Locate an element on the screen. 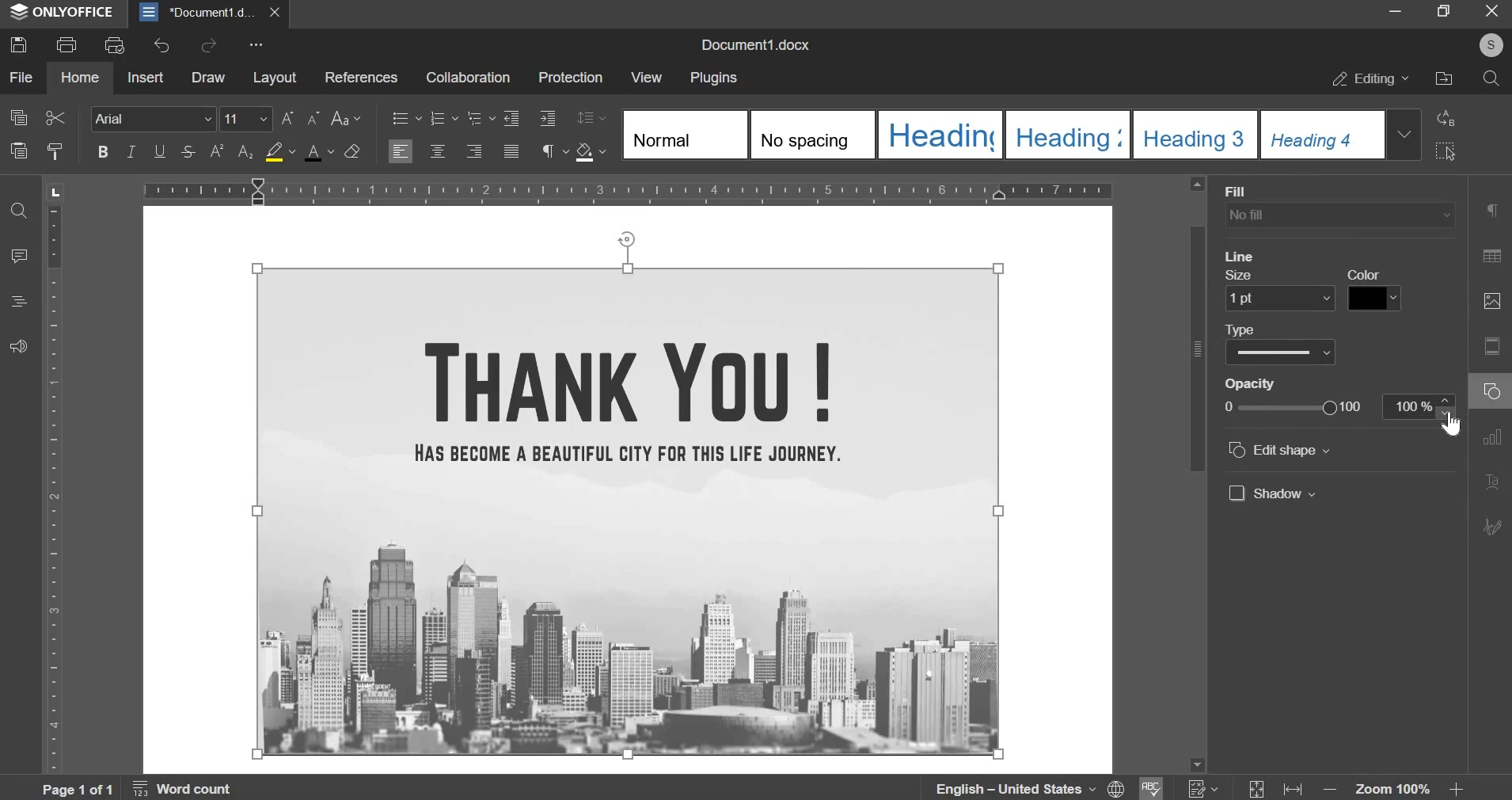  language, spelling & numbers is located at coordinates (1077, 786).